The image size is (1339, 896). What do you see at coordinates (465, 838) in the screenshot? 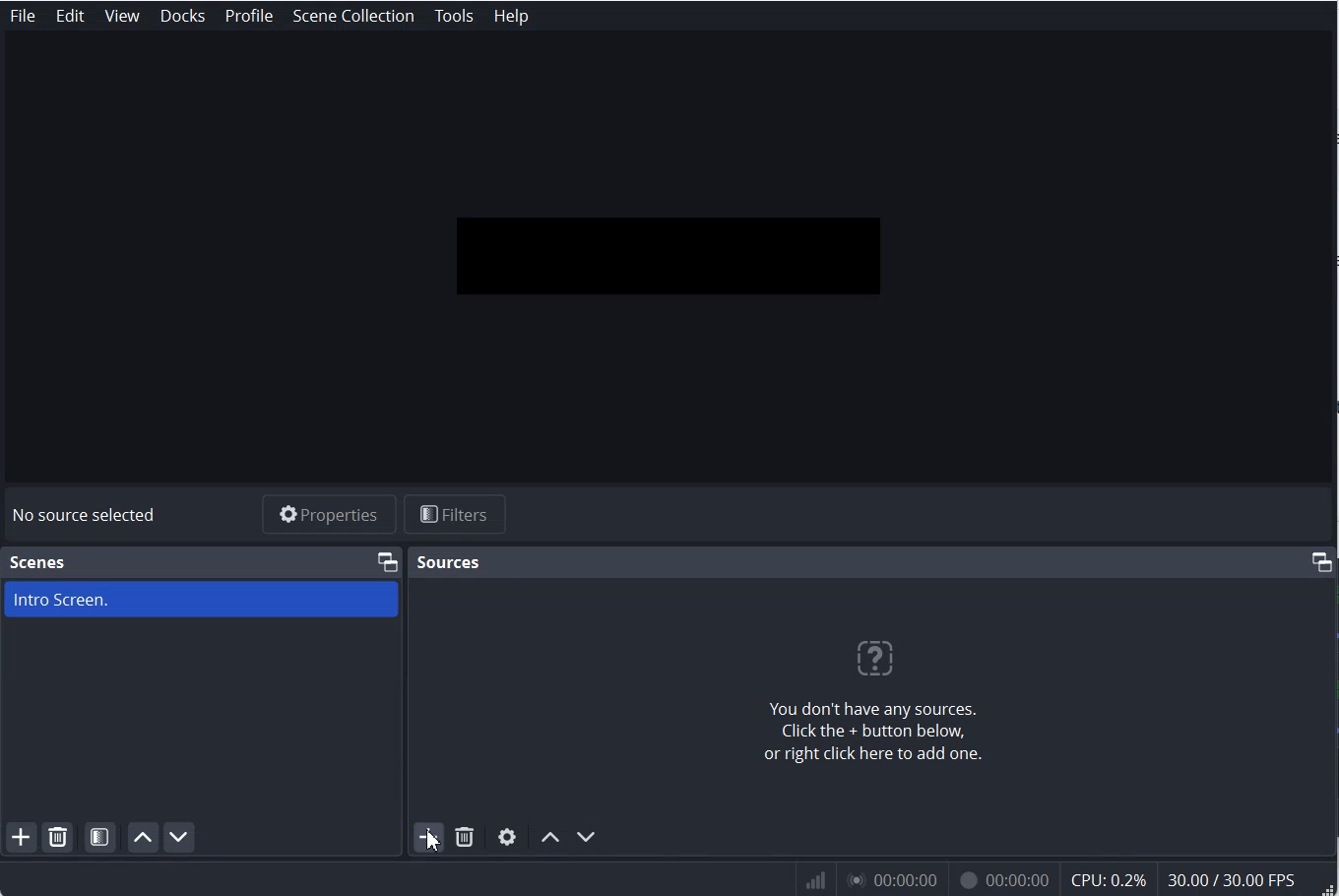
I see `Remove Selected Source` at bounding box center [465, 838].